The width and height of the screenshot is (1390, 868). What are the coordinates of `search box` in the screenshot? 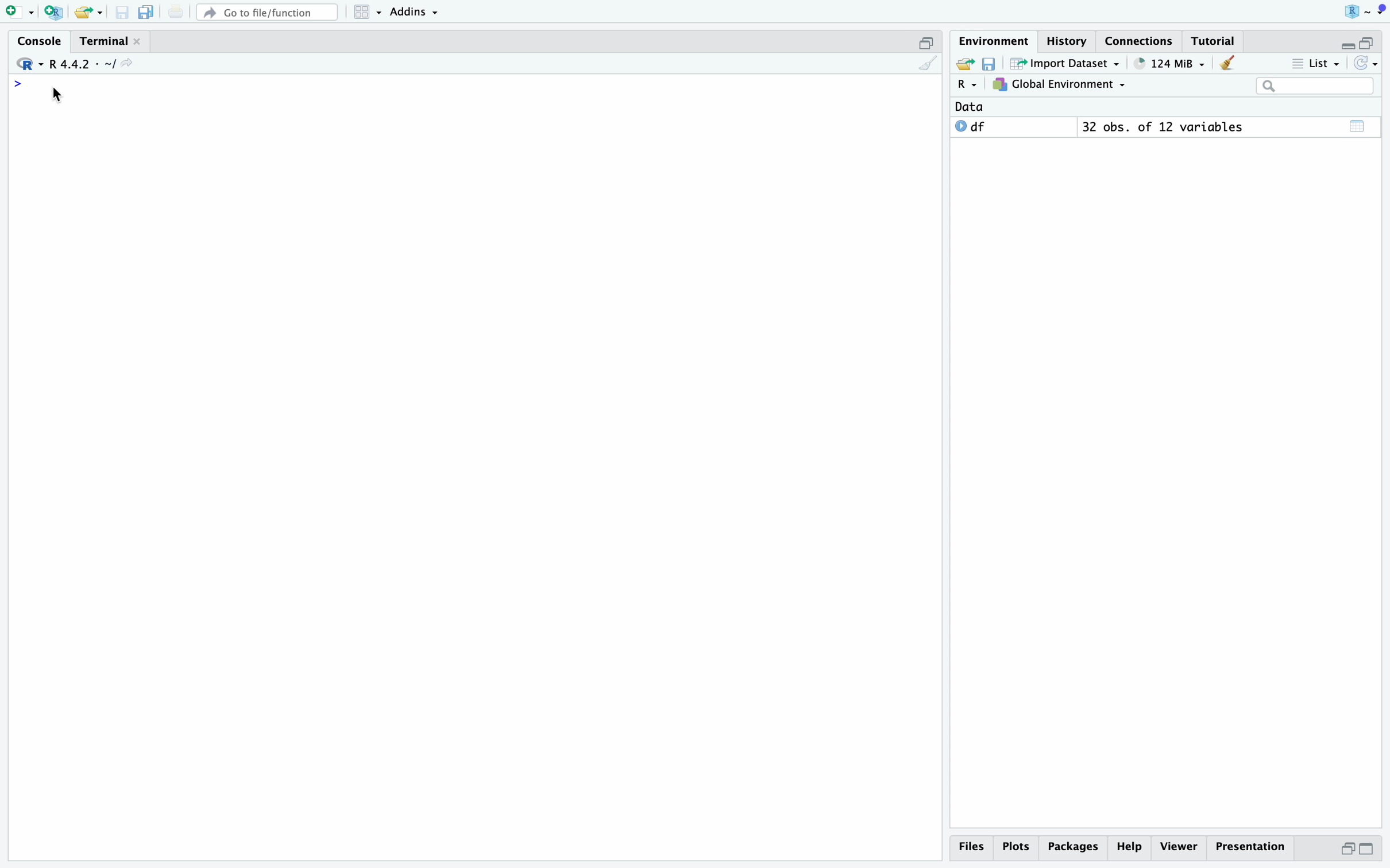 It's located at (1315, 86).